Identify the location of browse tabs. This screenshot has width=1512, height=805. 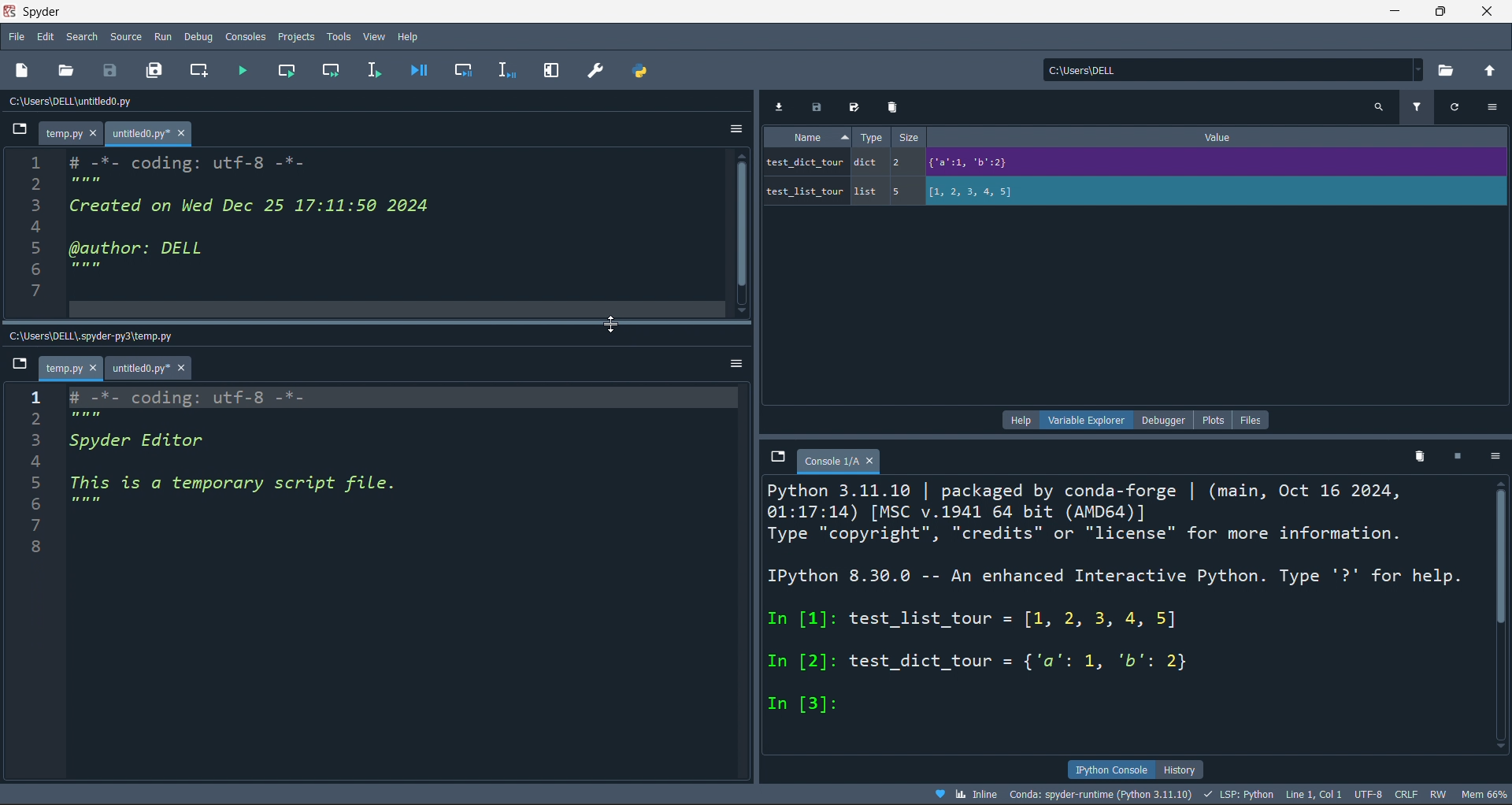
(775, 453).